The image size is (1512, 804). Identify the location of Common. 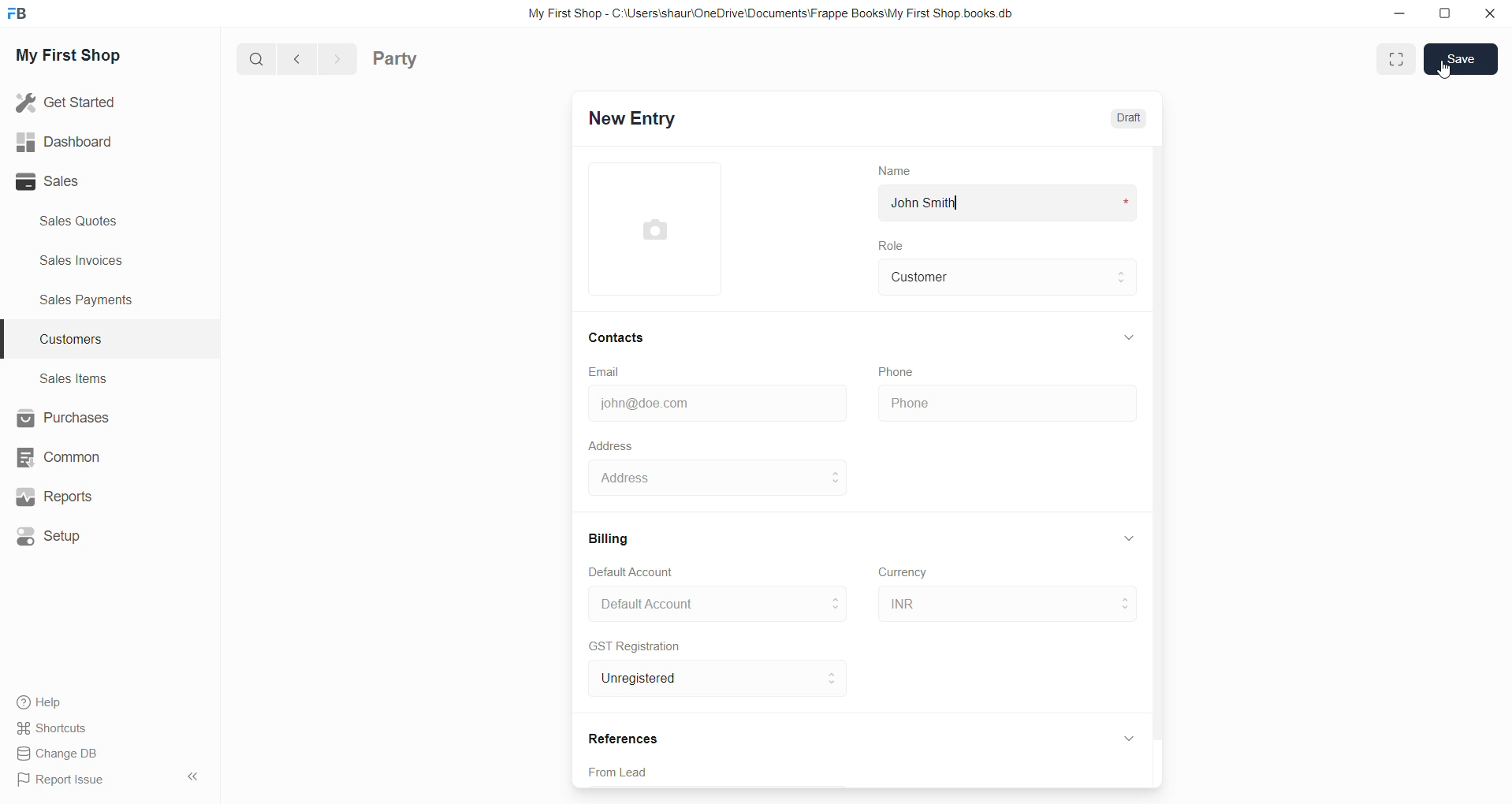
(61, 458).